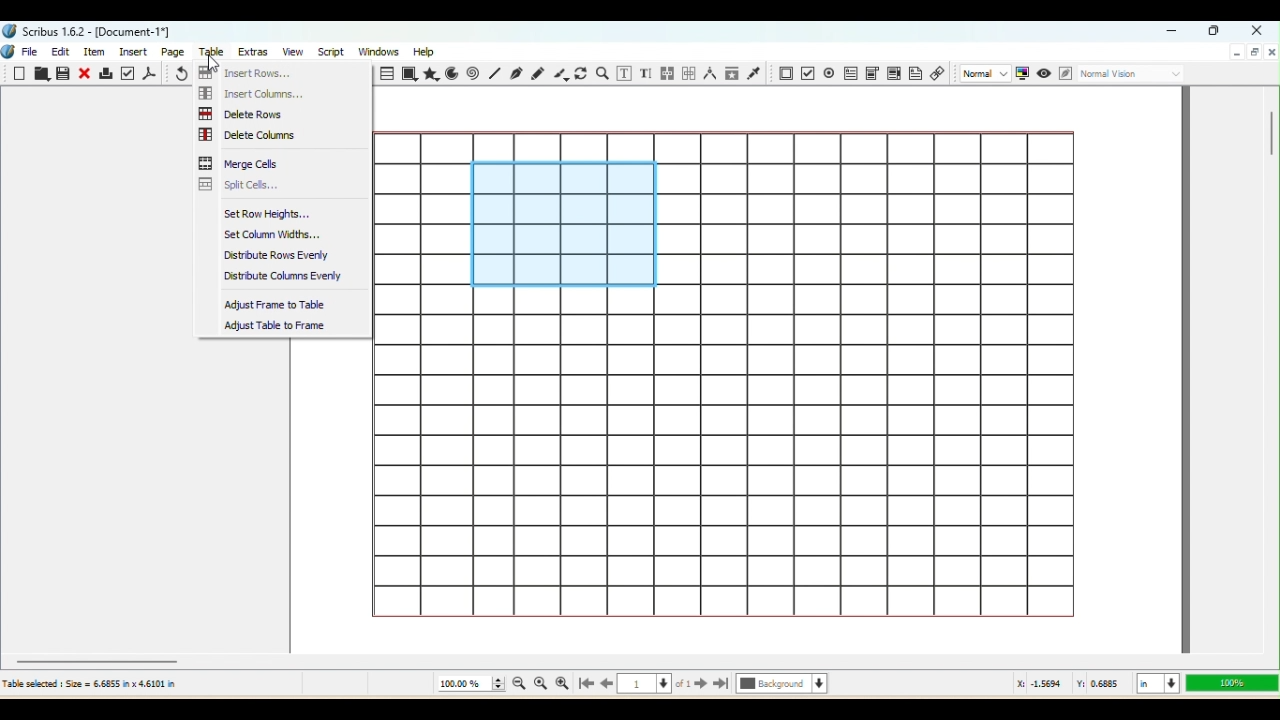 The width and height of the screenshot is (1280, 720). I want to click on Insert, so click(136, 51).